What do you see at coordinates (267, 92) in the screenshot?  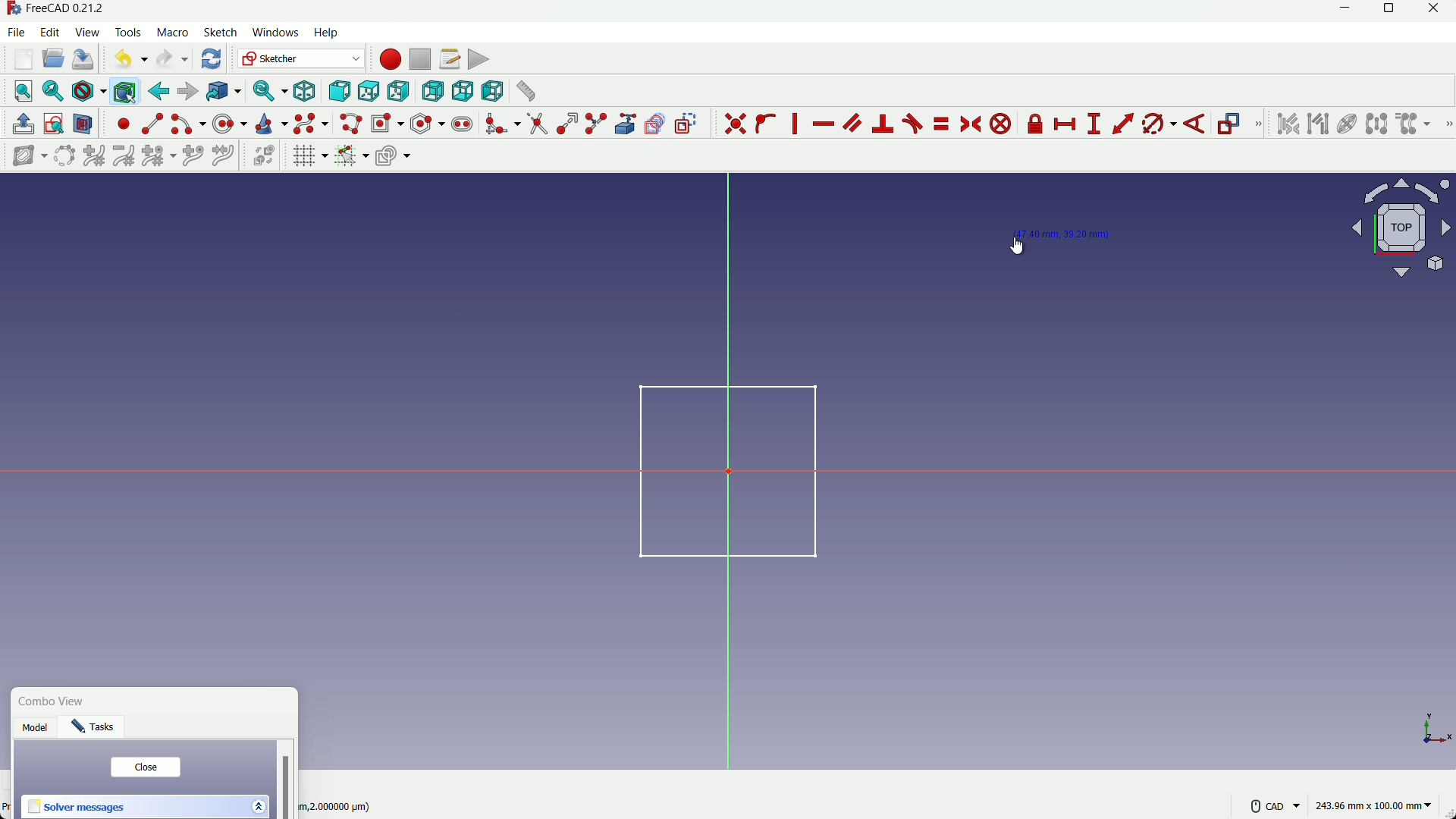 I see `sync view` at bounding box center [267, 92].